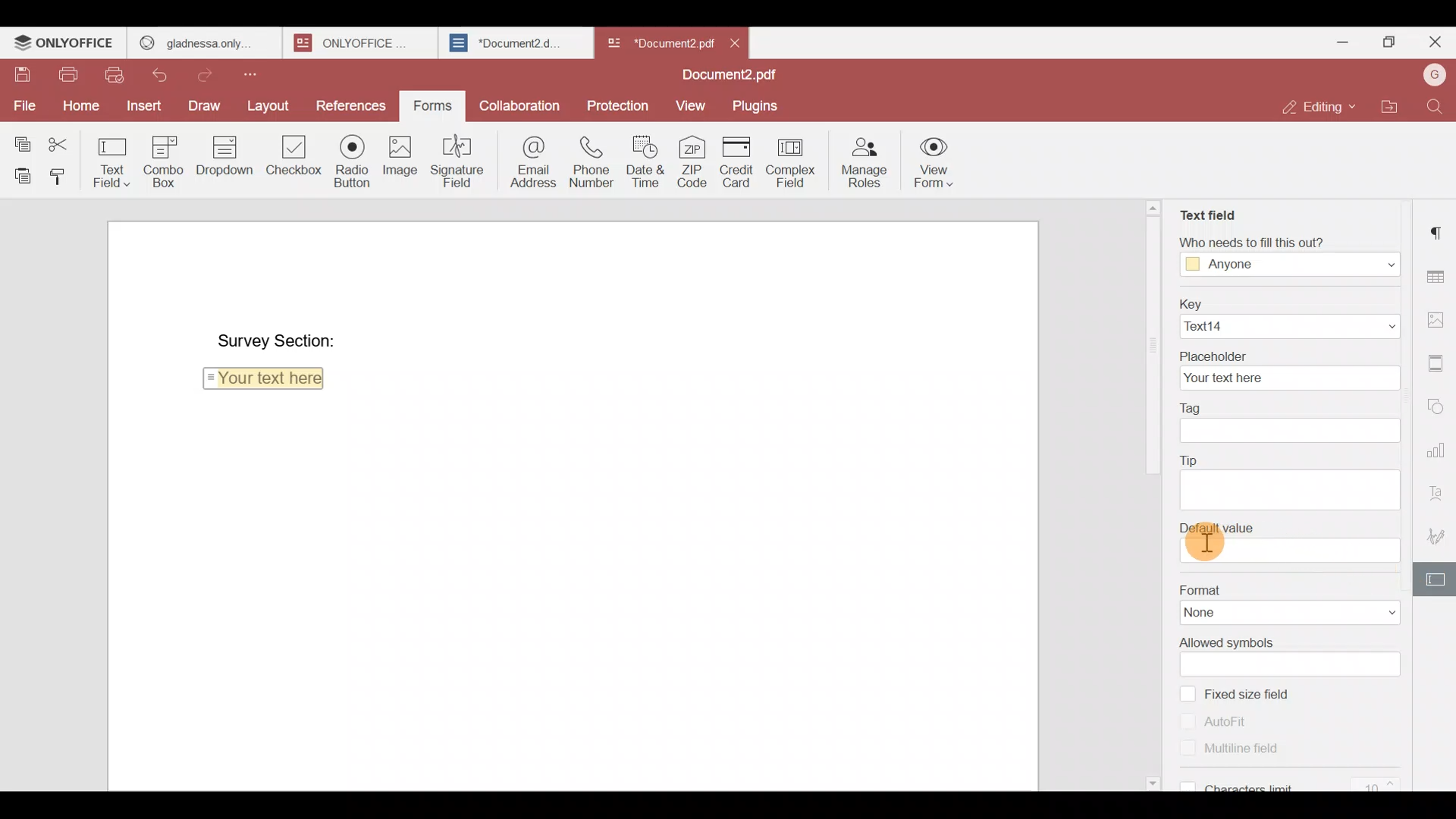 The width and height of the screenshot is (1456, 819). What do you see at coordinates (864, 160) in the screenshot?
I see `Manage roles` at bounding box center [864, 160].